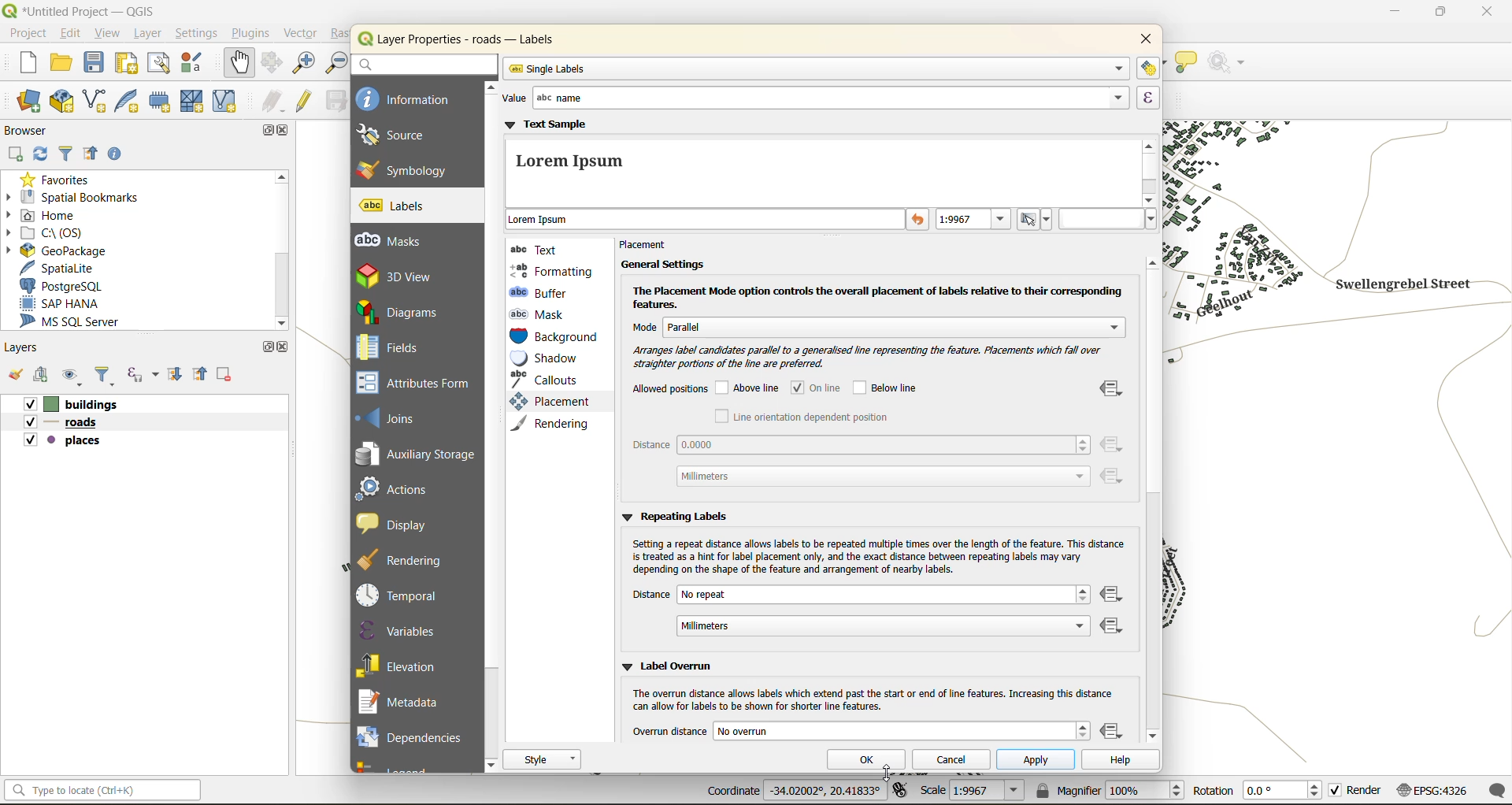  I want to click on mode, so click(869, 328).